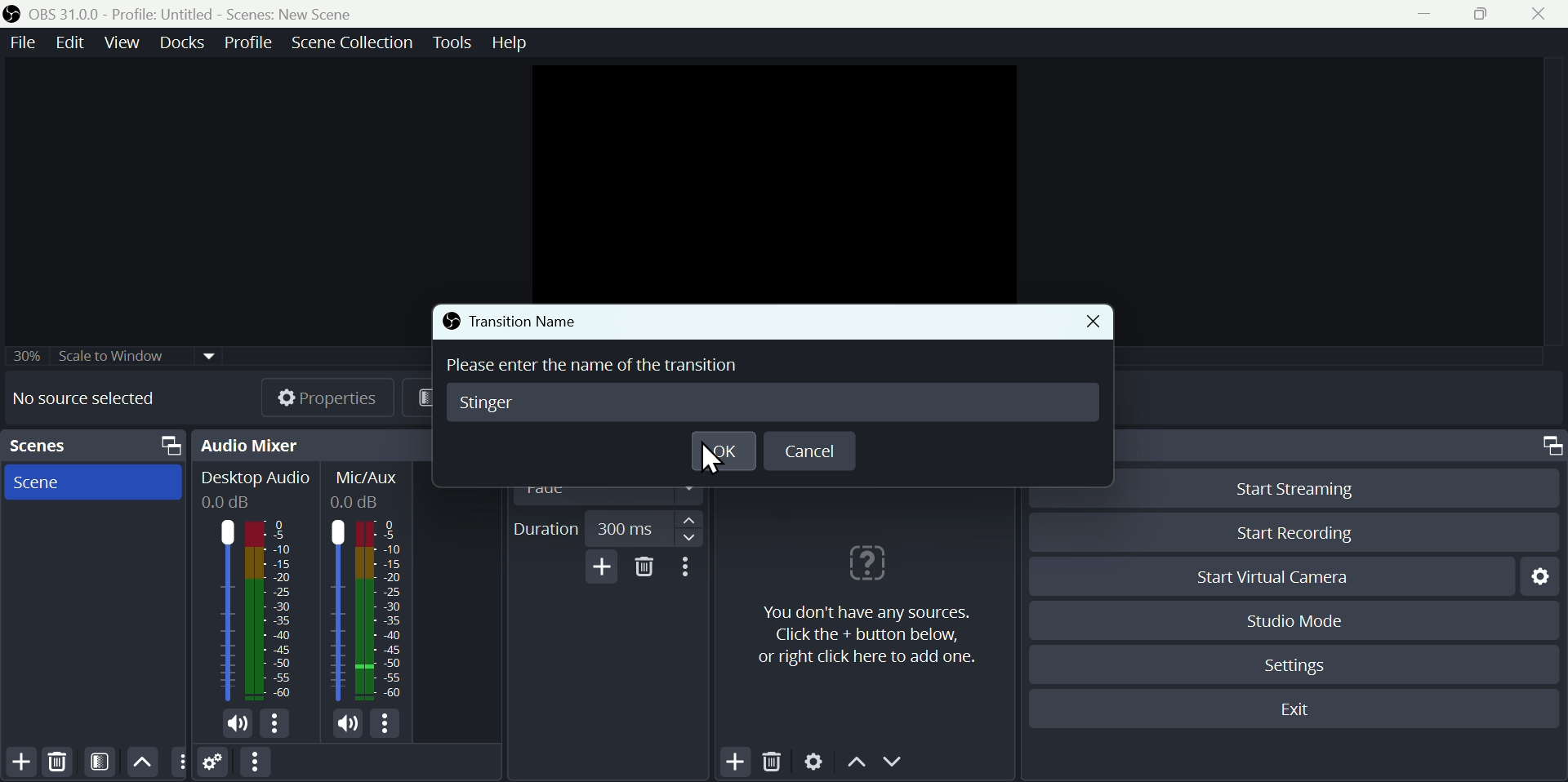 This screenshot has width=1568, height=782. Describe the element at coordinates (21, 762) in the screenshot. I see `Add` at that location.